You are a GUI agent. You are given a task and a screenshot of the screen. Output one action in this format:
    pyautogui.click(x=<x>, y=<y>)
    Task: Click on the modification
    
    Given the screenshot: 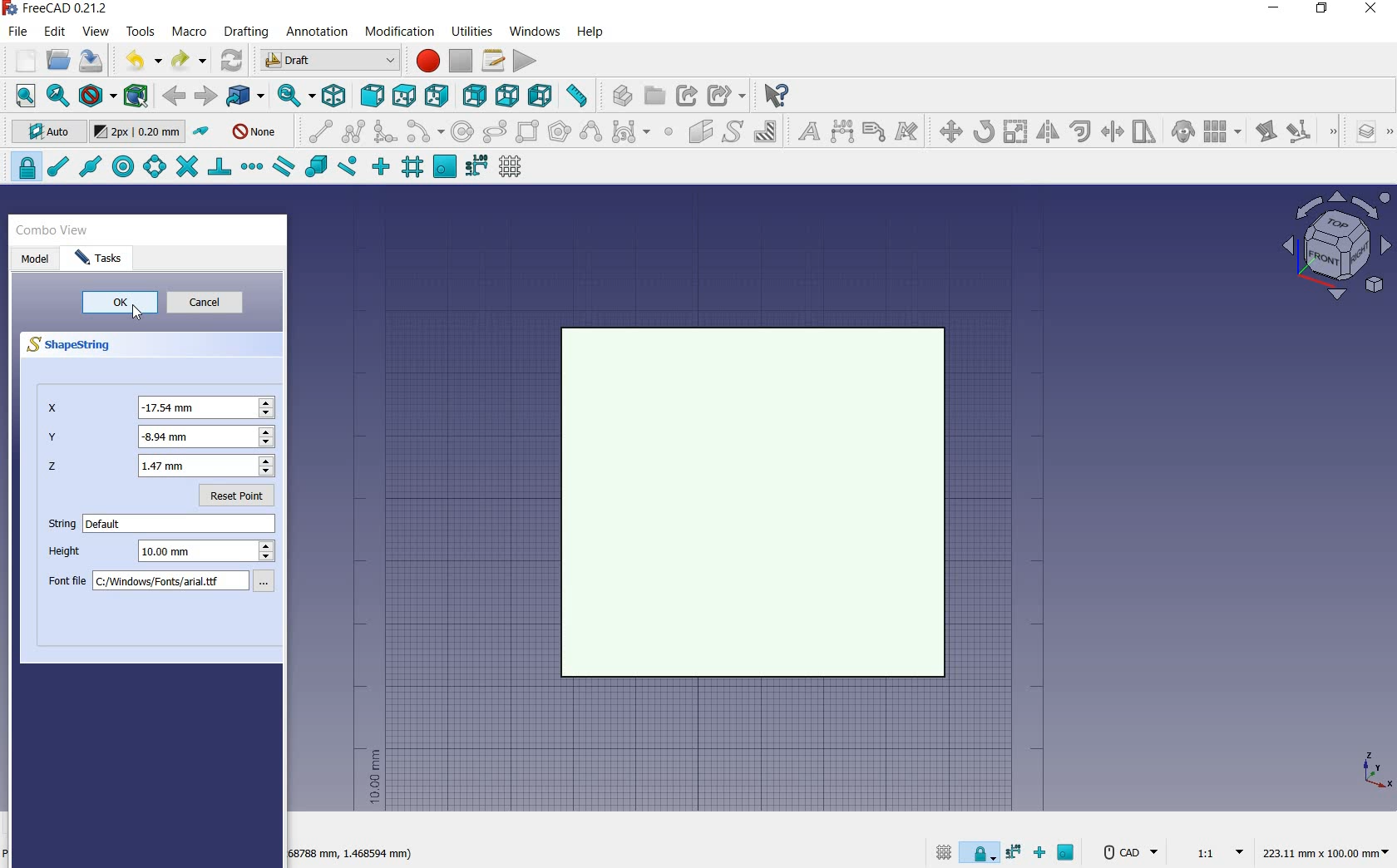 What is the action you would take?
    pyautogui.click(x=402, y=33)
    